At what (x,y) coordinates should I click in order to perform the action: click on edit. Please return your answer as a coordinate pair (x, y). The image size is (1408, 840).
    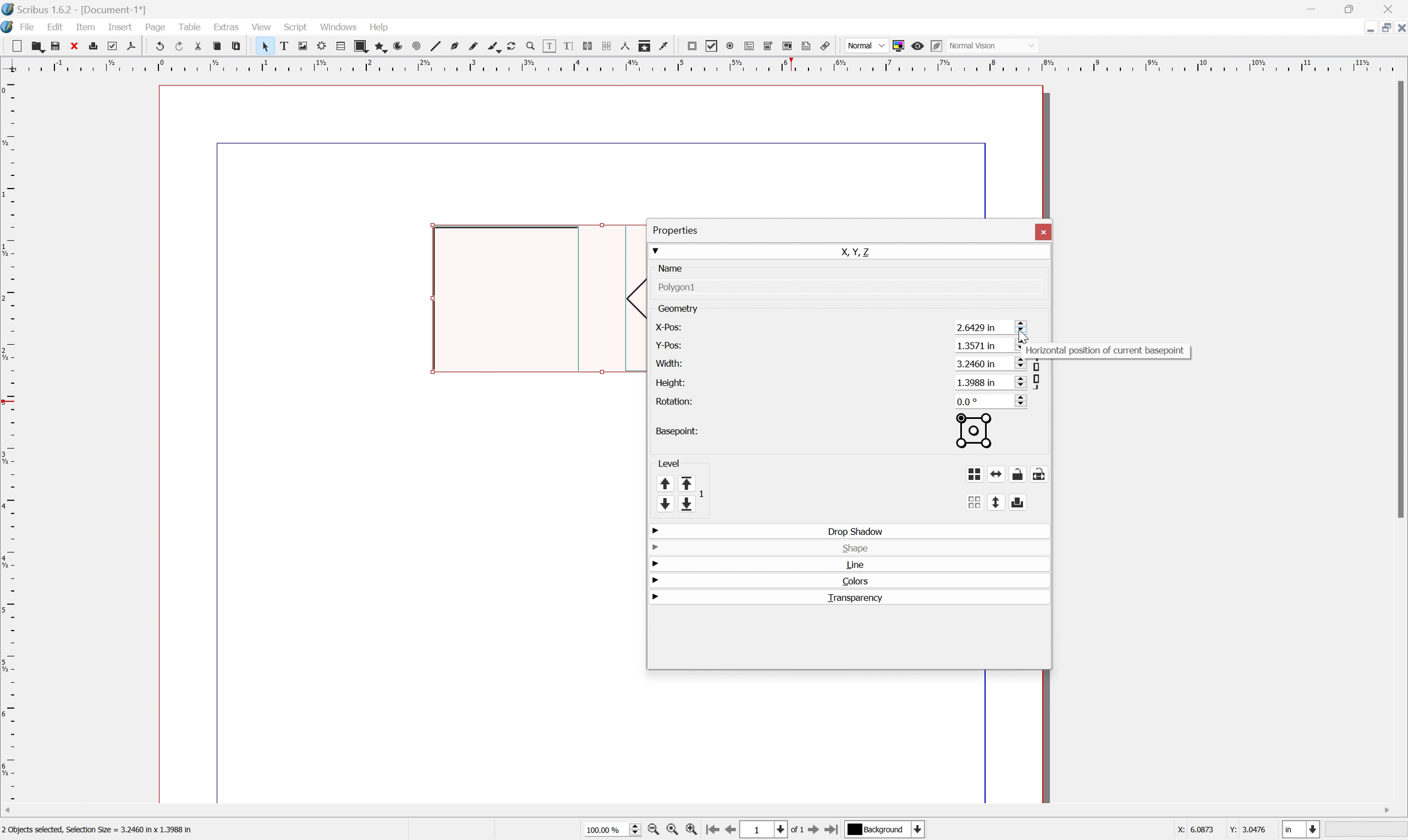
    Looking at the image, I should click on (57, 27).